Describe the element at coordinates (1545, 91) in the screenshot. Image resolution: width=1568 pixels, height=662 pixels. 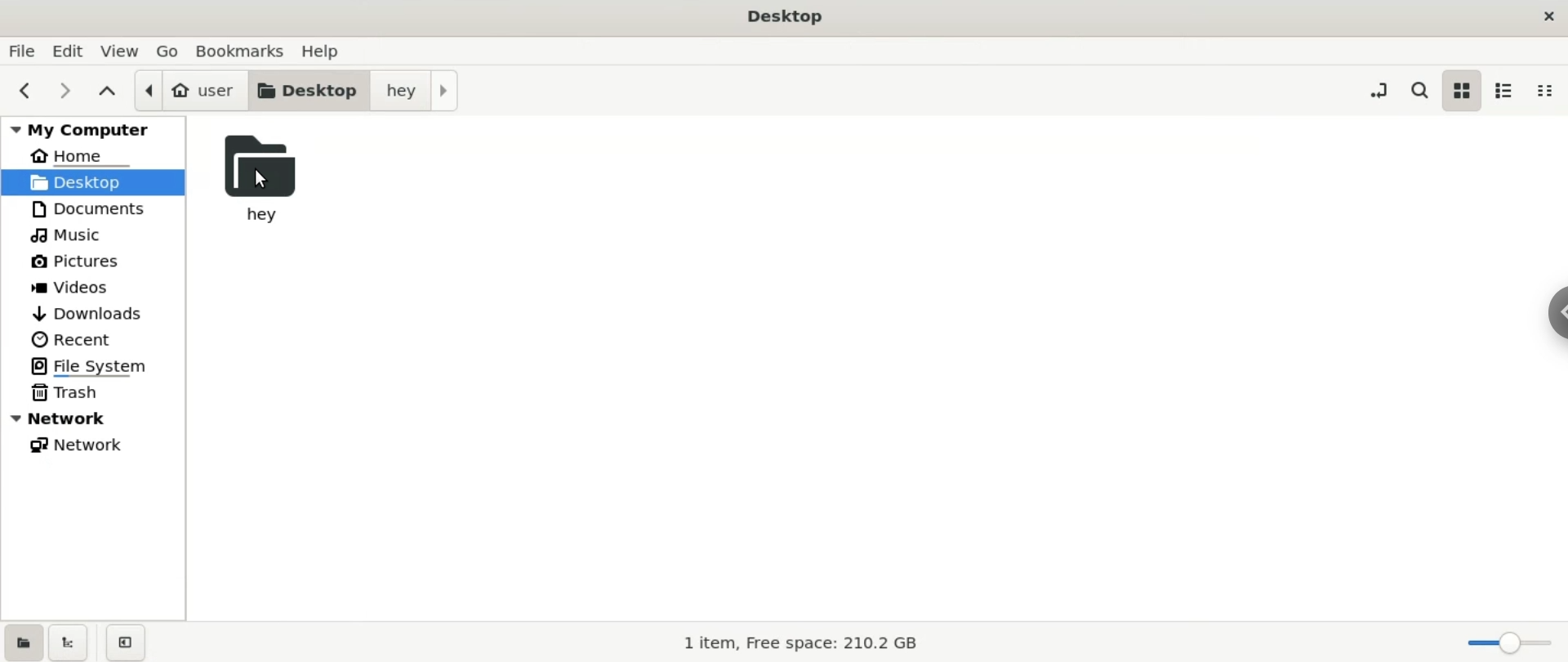
I see `compact view` at that location.